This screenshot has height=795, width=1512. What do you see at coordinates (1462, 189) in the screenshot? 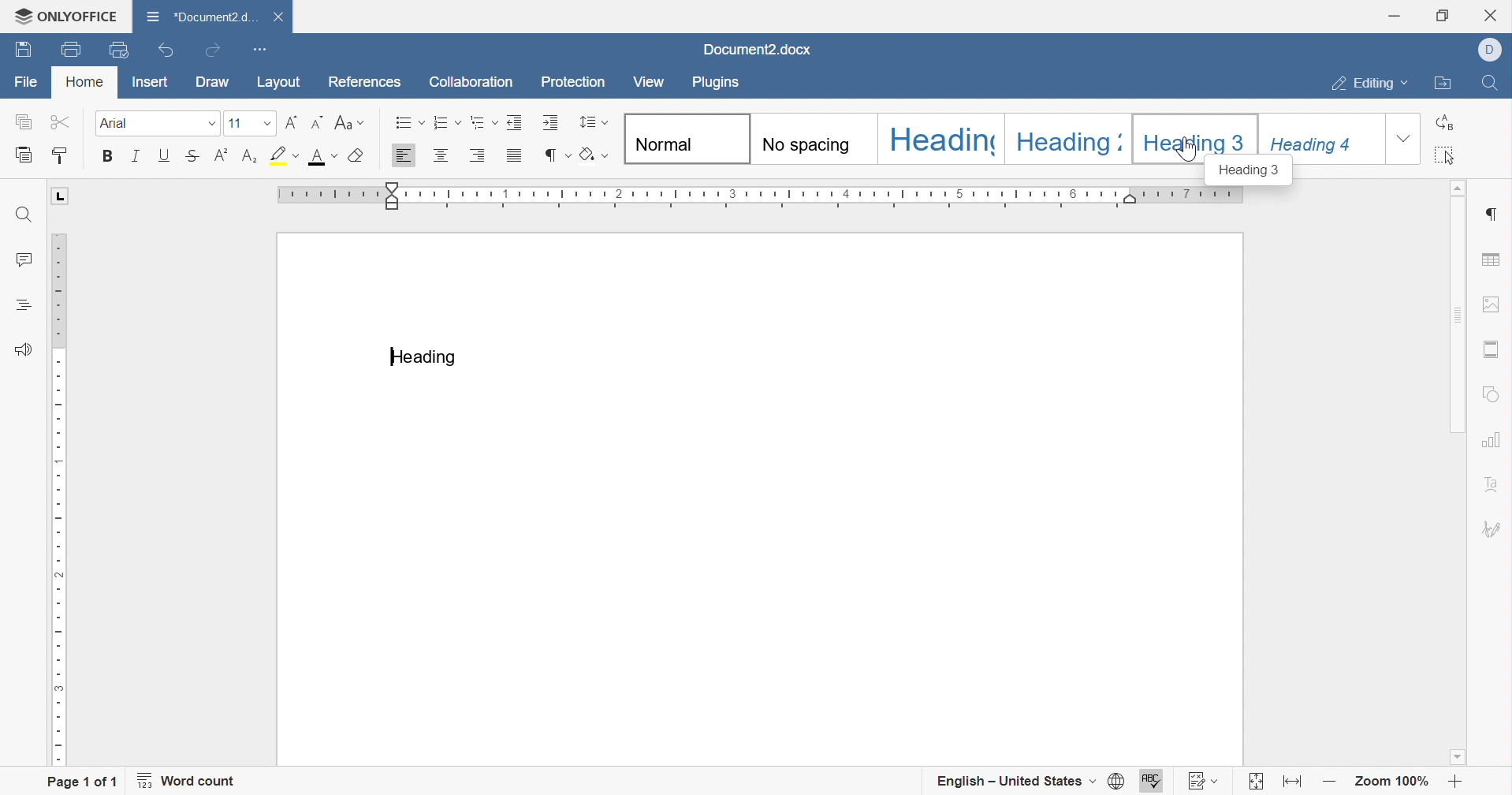
I see `Scroll Up` at bounding box center [1462, 189].